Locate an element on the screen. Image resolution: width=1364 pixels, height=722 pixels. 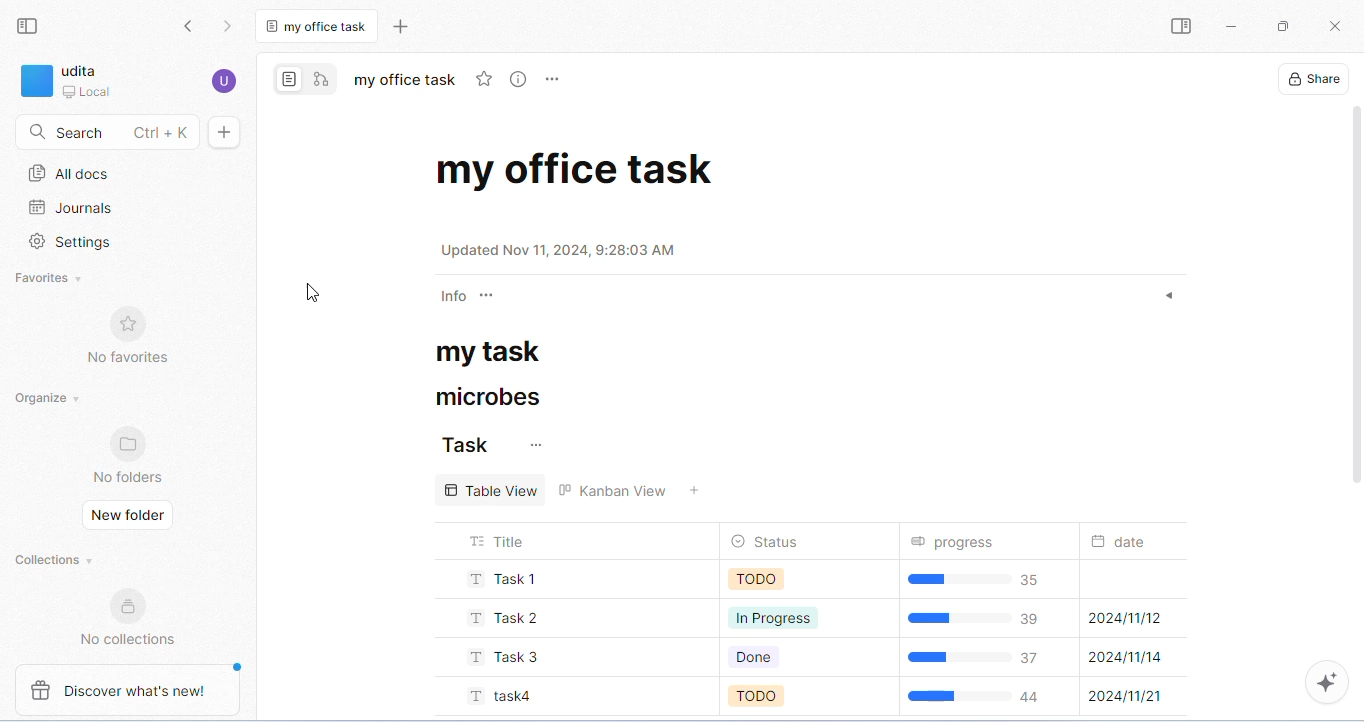
rename and more is located at coordinates (553, 80).